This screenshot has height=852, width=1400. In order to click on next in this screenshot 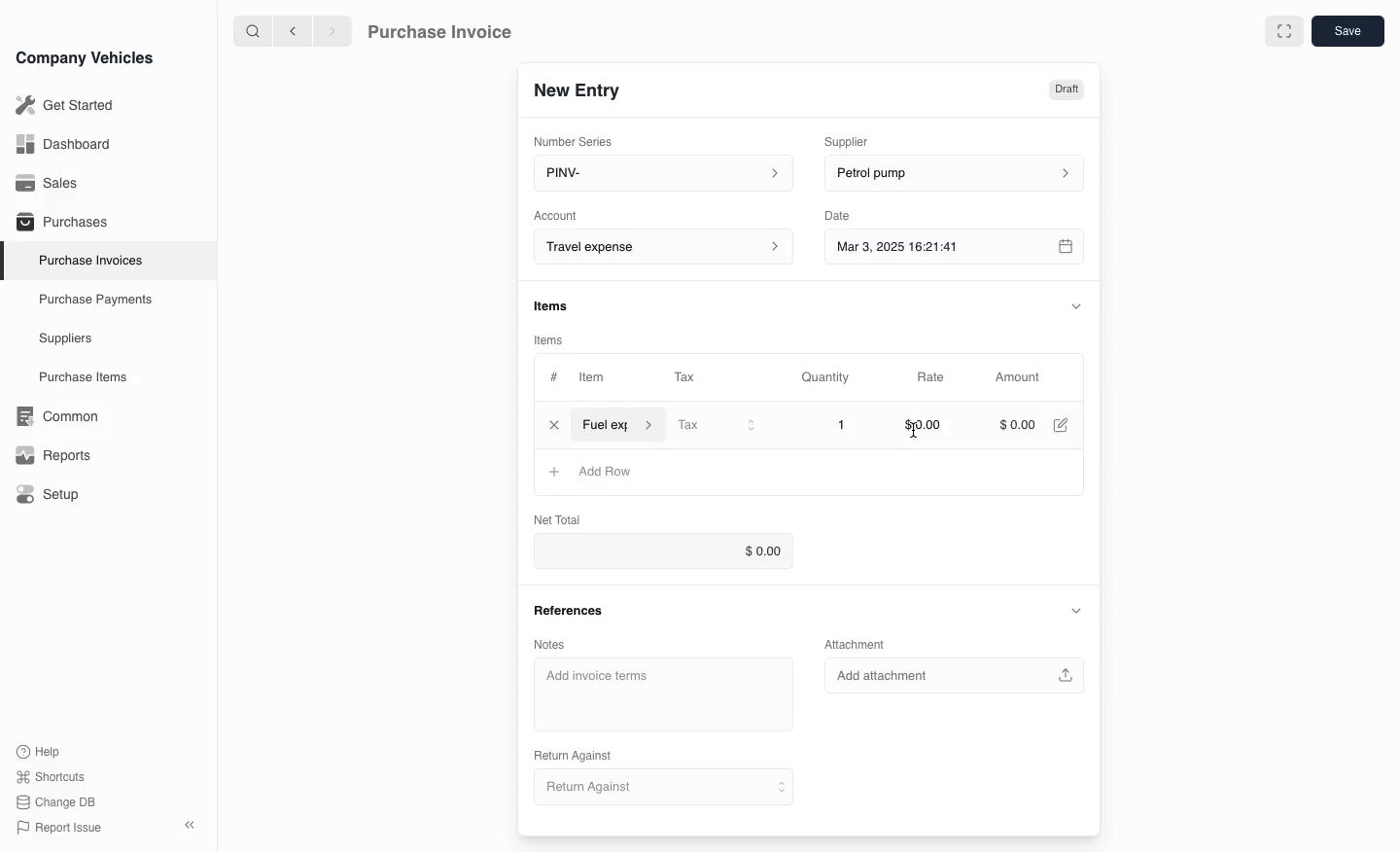, I will do `click(332, 30)`.